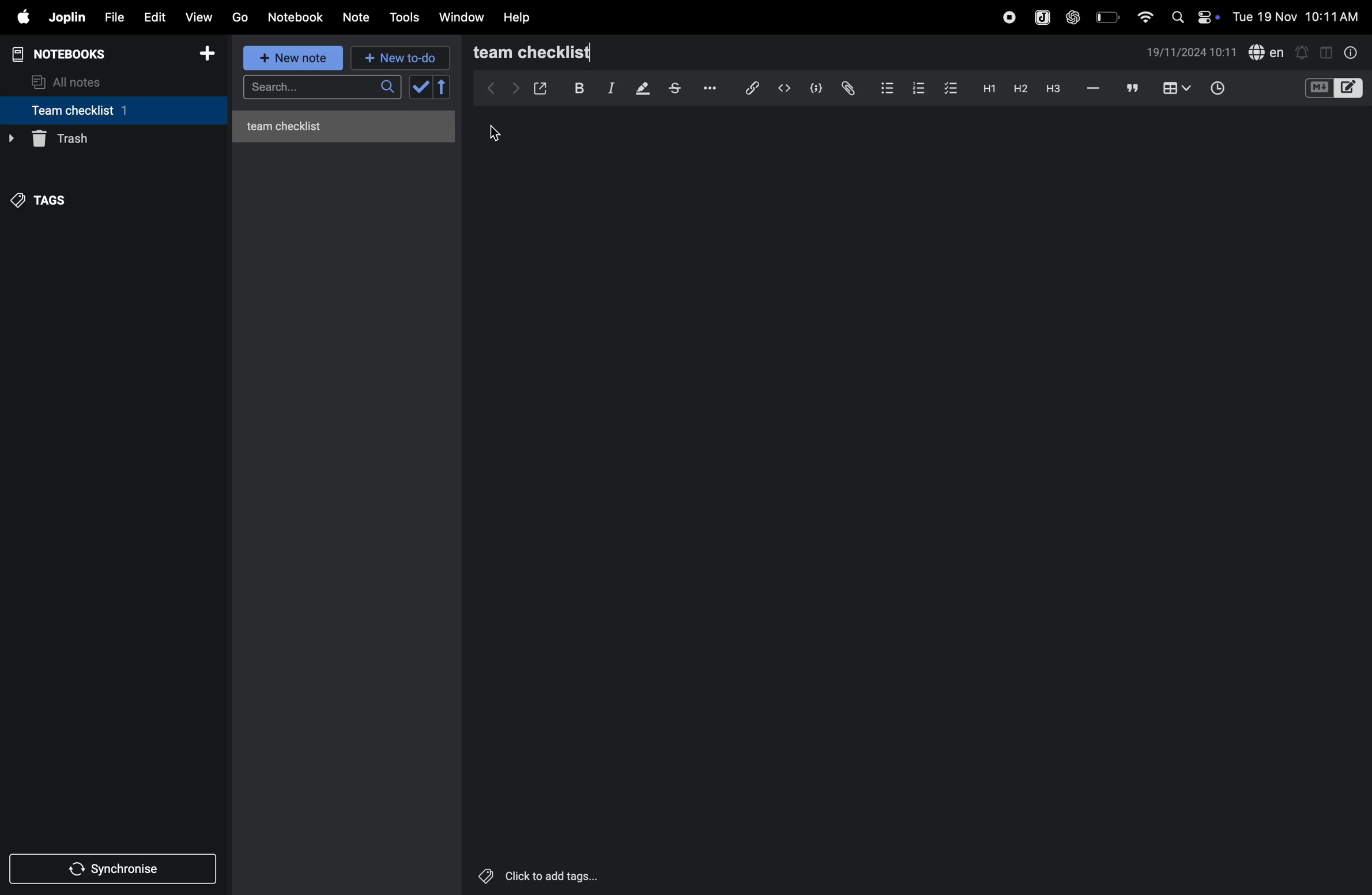 The width and height of the screenshot is (1372, 895). What do you see at coordinates (1053, 88) in the screenshot?
I see `heading 3` at bounding box center [1053, 88].